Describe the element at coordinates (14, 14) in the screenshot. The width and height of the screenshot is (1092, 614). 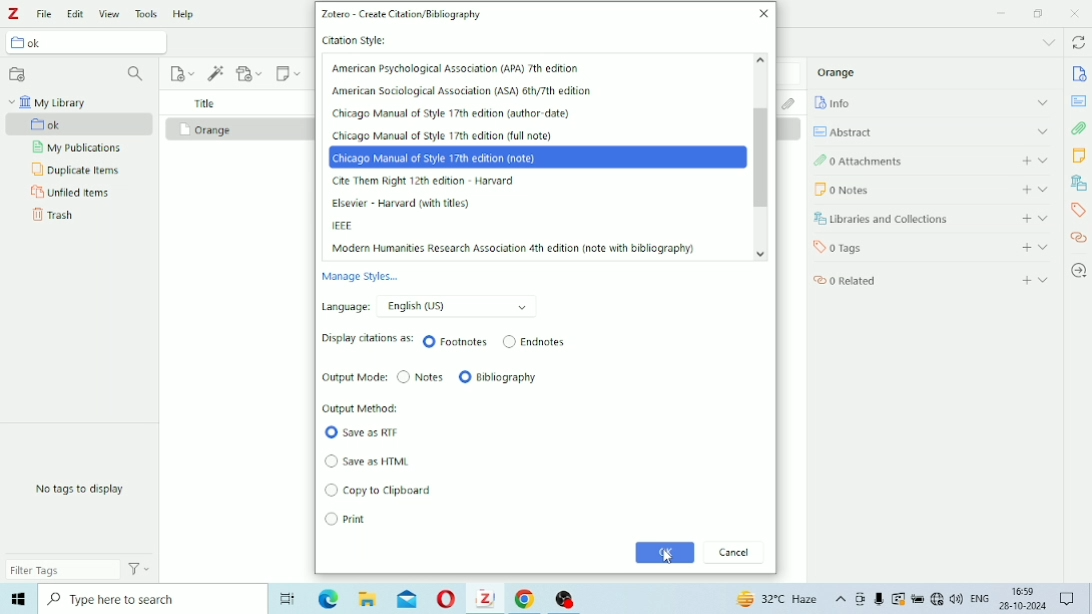
I see `Logo` at that location.